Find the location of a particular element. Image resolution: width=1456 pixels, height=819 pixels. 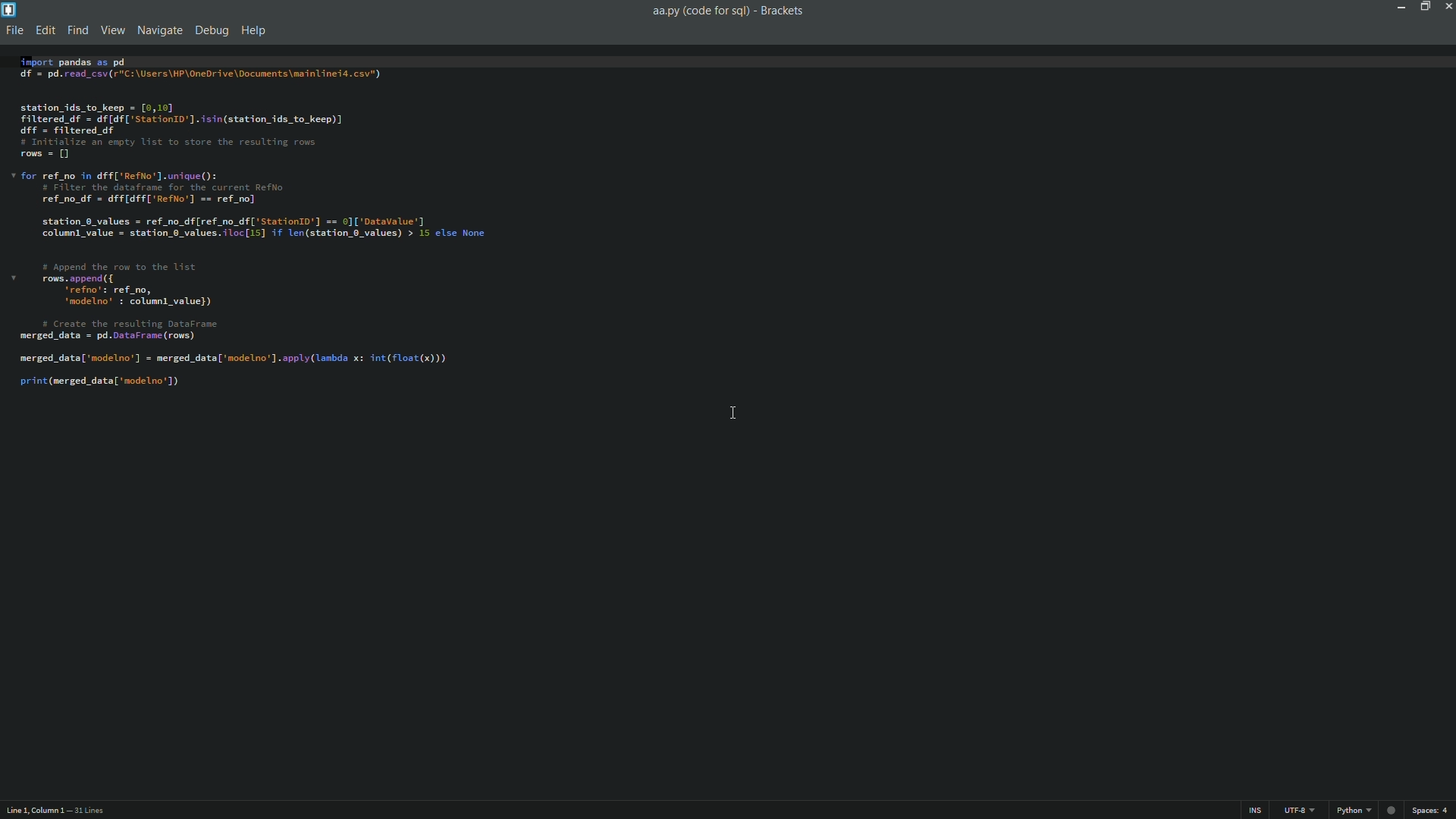

file menu is located at coordinates (14, 32).